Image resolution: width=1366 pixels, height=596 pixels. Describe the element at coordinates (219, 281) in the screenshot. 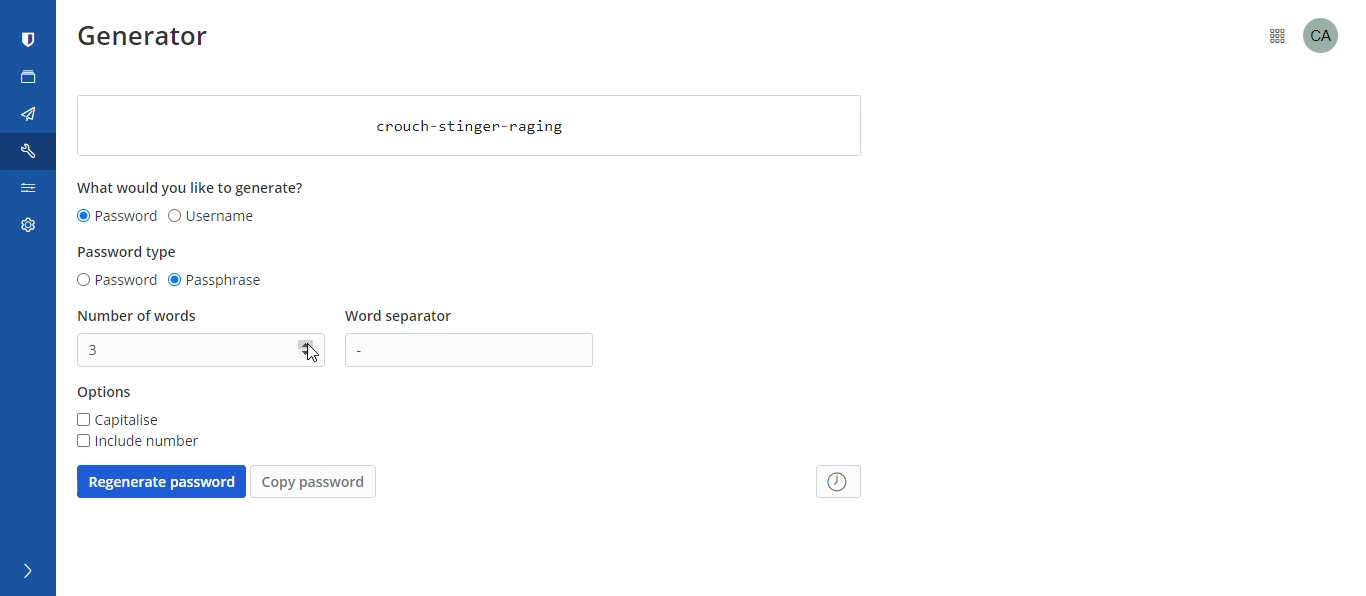

I see `passphrase radio button` at that location.